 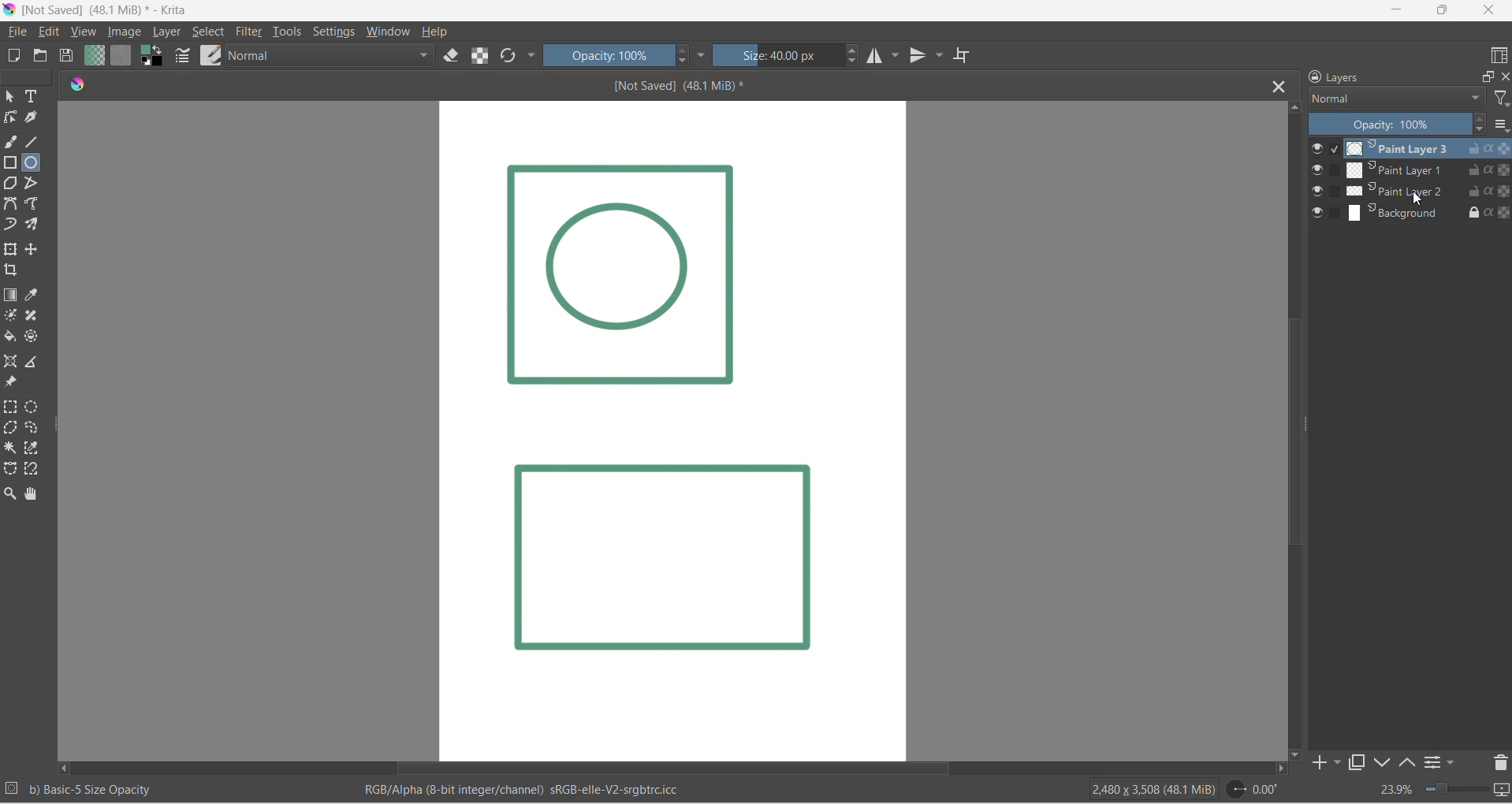 What do you see at coordinates (1498, 169) in the screenshot?
I see `Preserver alpha` at bounding box center [1498, 169].